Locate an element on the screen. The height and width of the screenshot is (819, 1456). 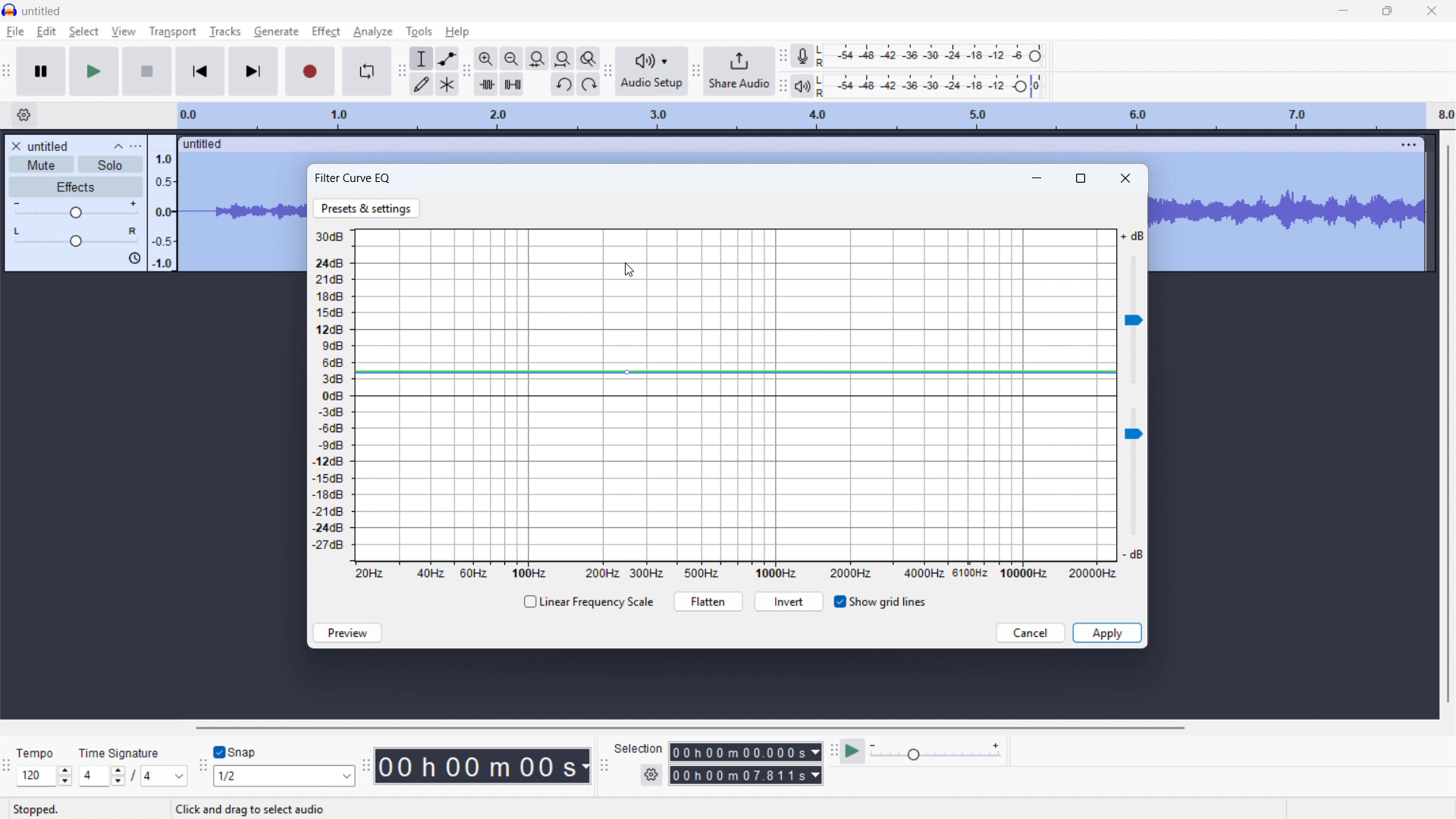
Selection end time  is located at coordinates (747, 776).